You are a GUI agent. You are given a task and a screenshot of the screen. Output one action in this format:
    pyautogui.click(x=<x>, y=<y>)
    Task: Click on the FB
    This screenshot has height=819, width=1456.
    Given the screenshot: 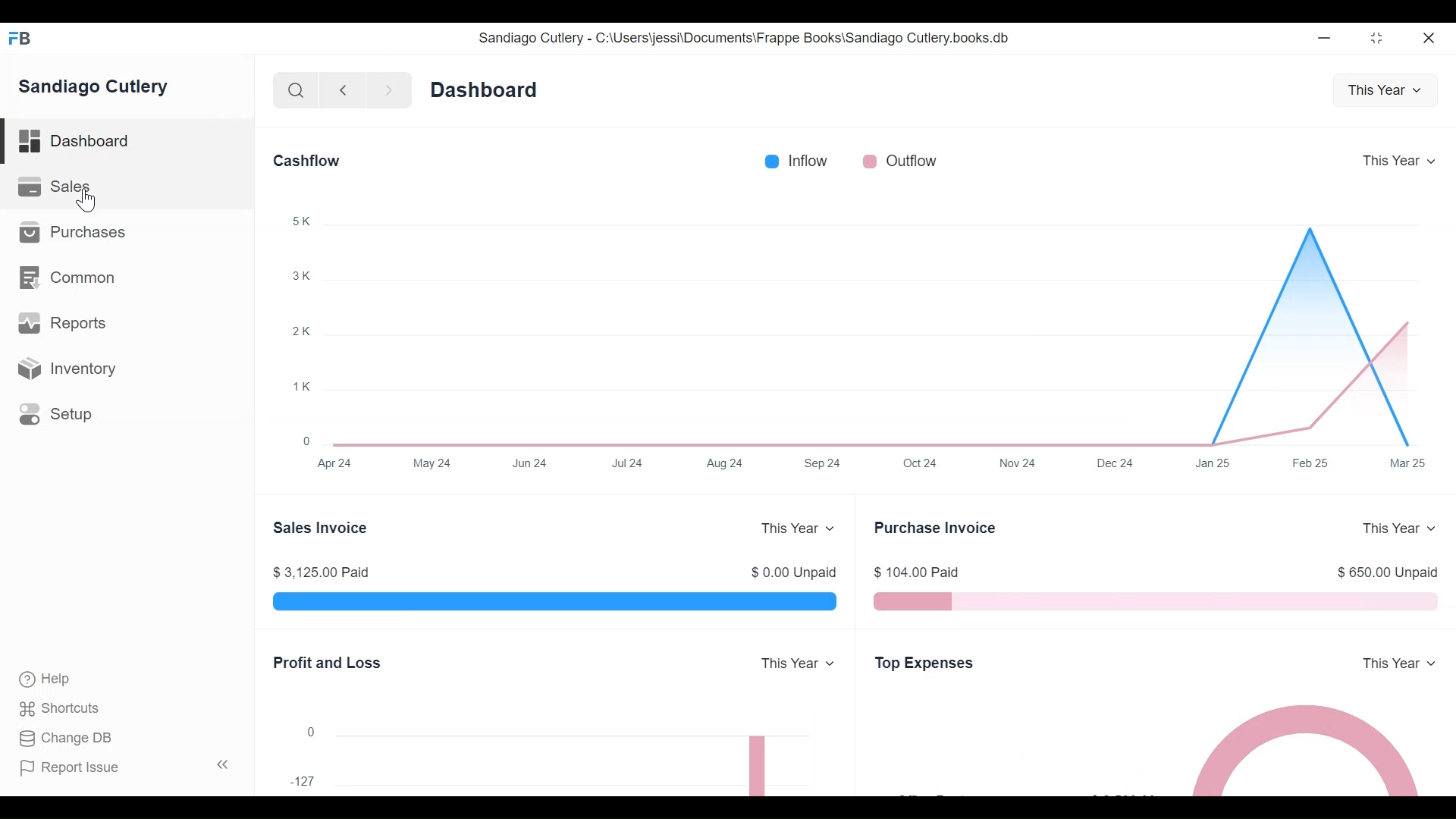 What is the action you would take?
    pyautogui.click(x=23, y=39)
    